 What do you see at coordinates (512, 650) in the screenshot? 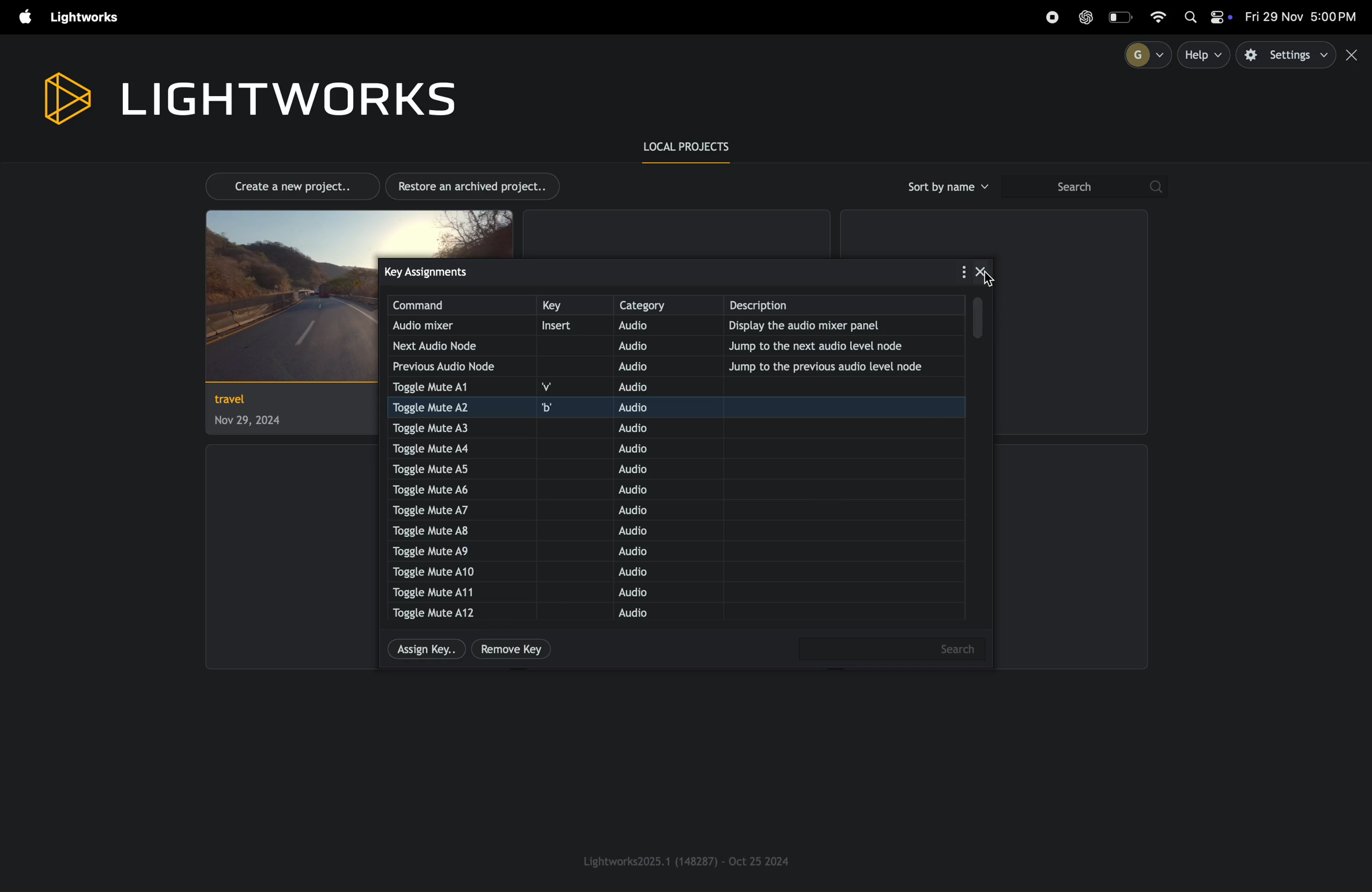
I see `remove key` at bounding box center [512, 650].